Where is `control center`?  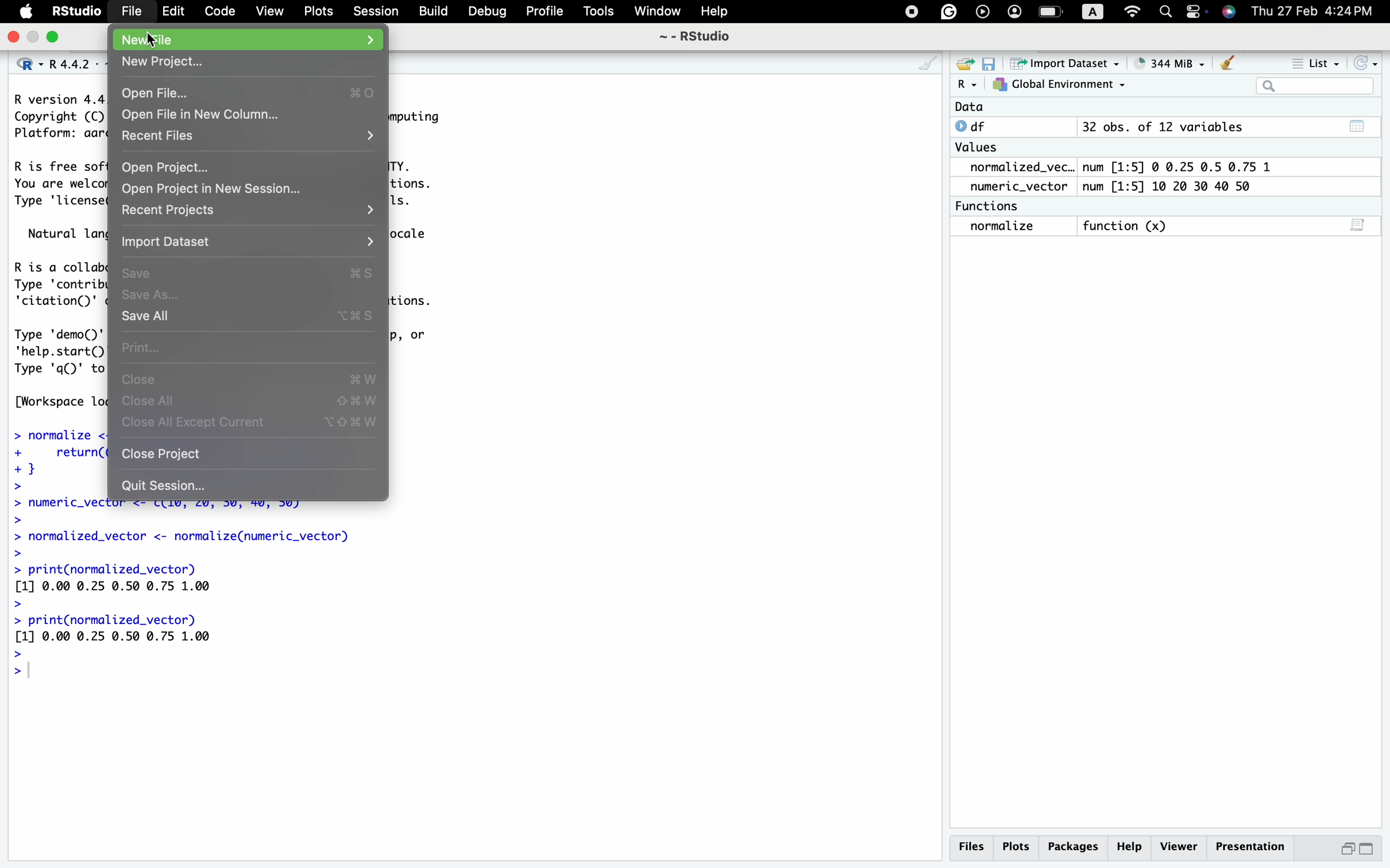 control center is located at coordinates (911, 12).